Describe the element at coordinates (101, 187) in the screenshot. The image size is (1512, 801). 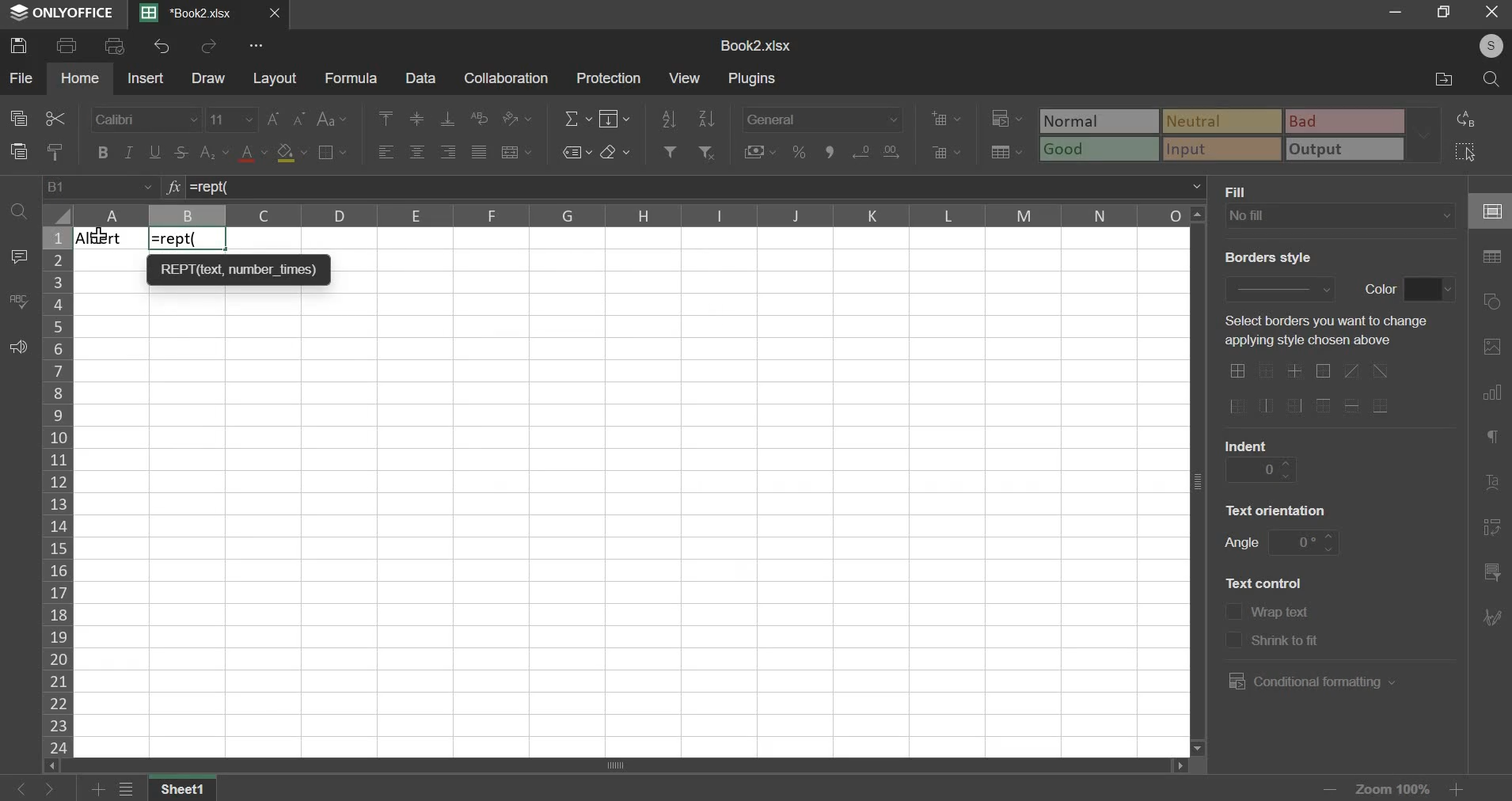
I see `cell name` at that location.